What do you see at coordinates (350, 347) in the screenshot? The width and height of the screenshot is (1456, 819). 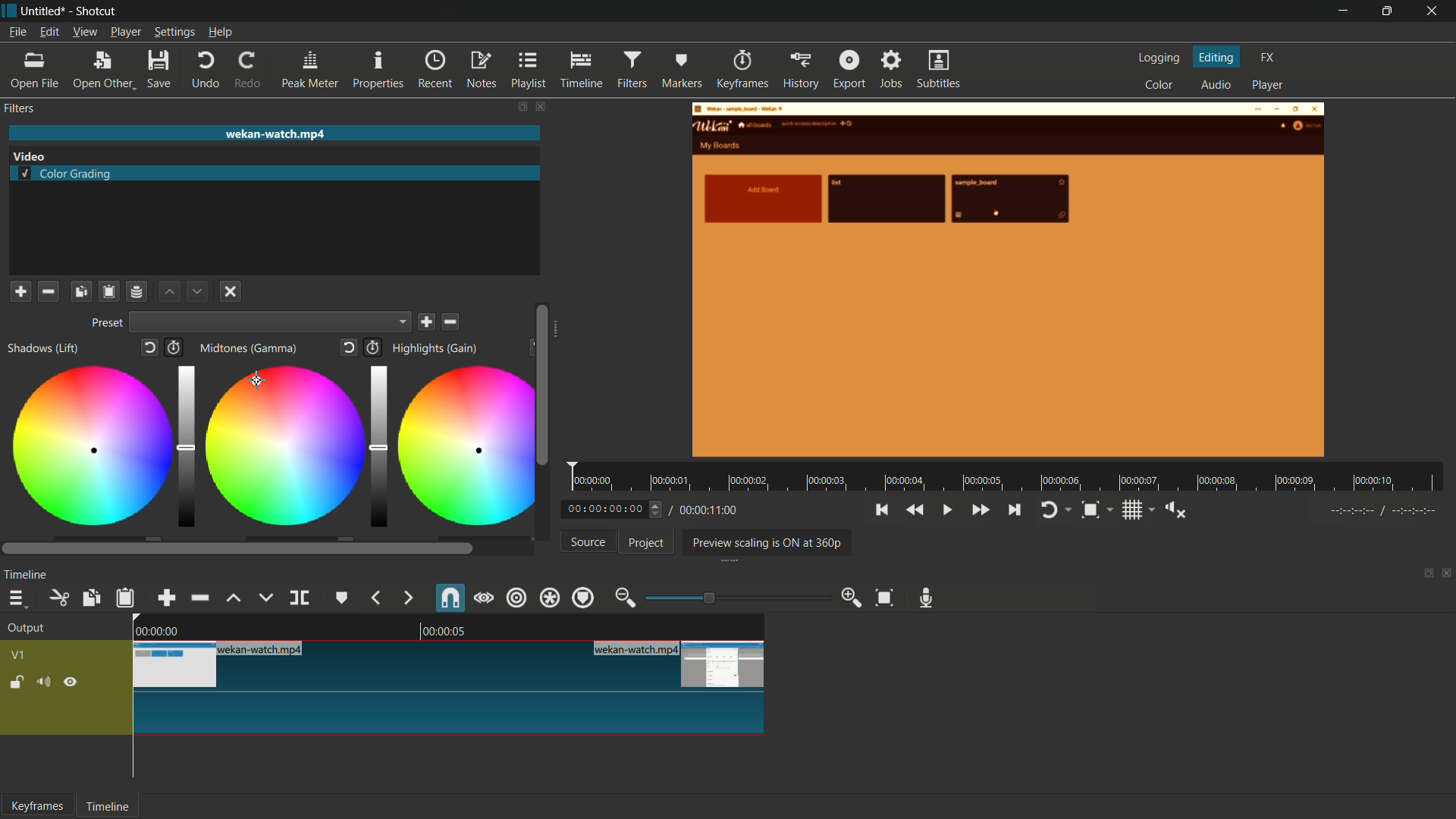 I see `reset to default` at bounding box center [350, 347].